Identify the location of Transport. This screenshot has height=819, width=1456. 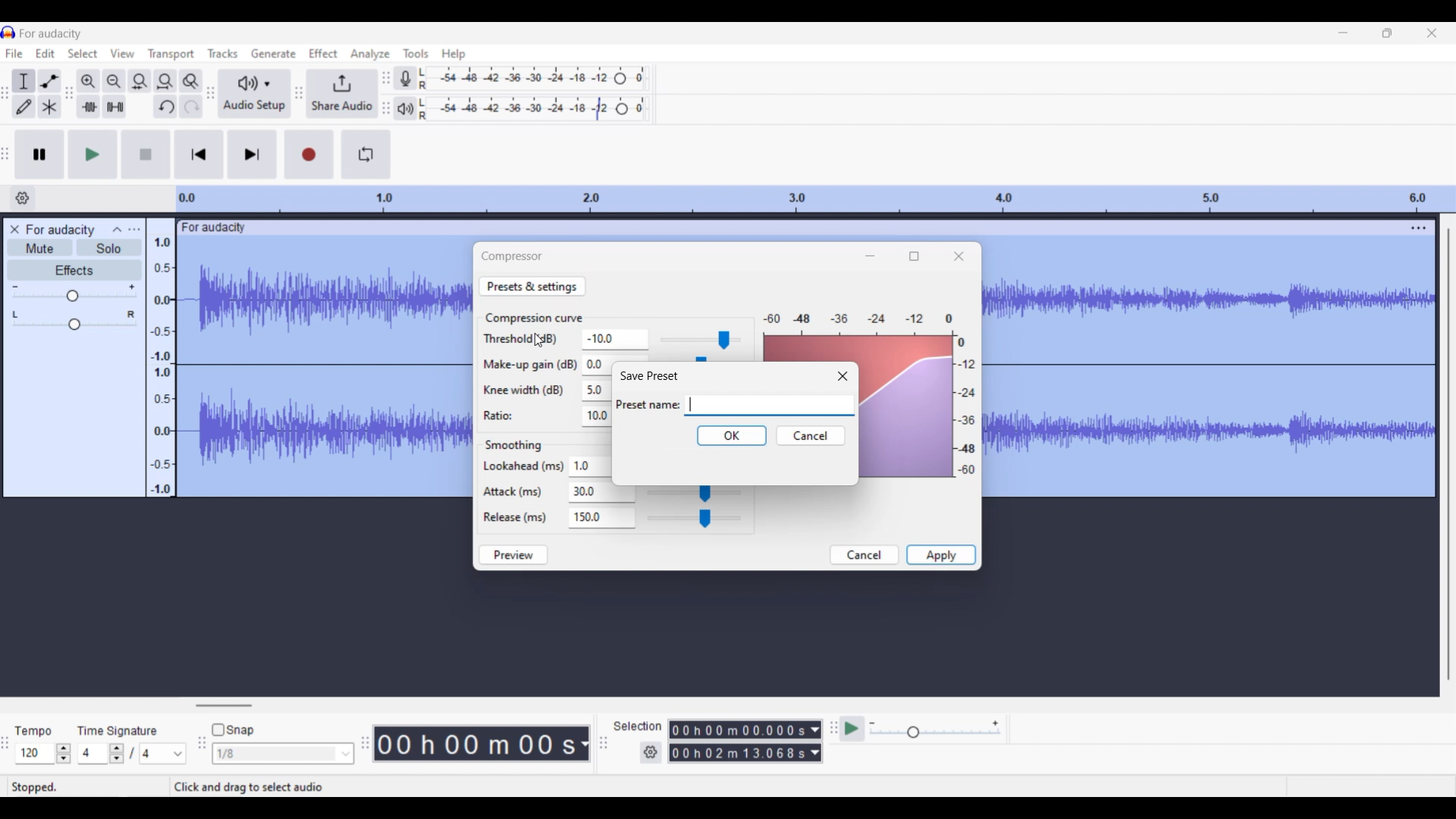
(171, 55).